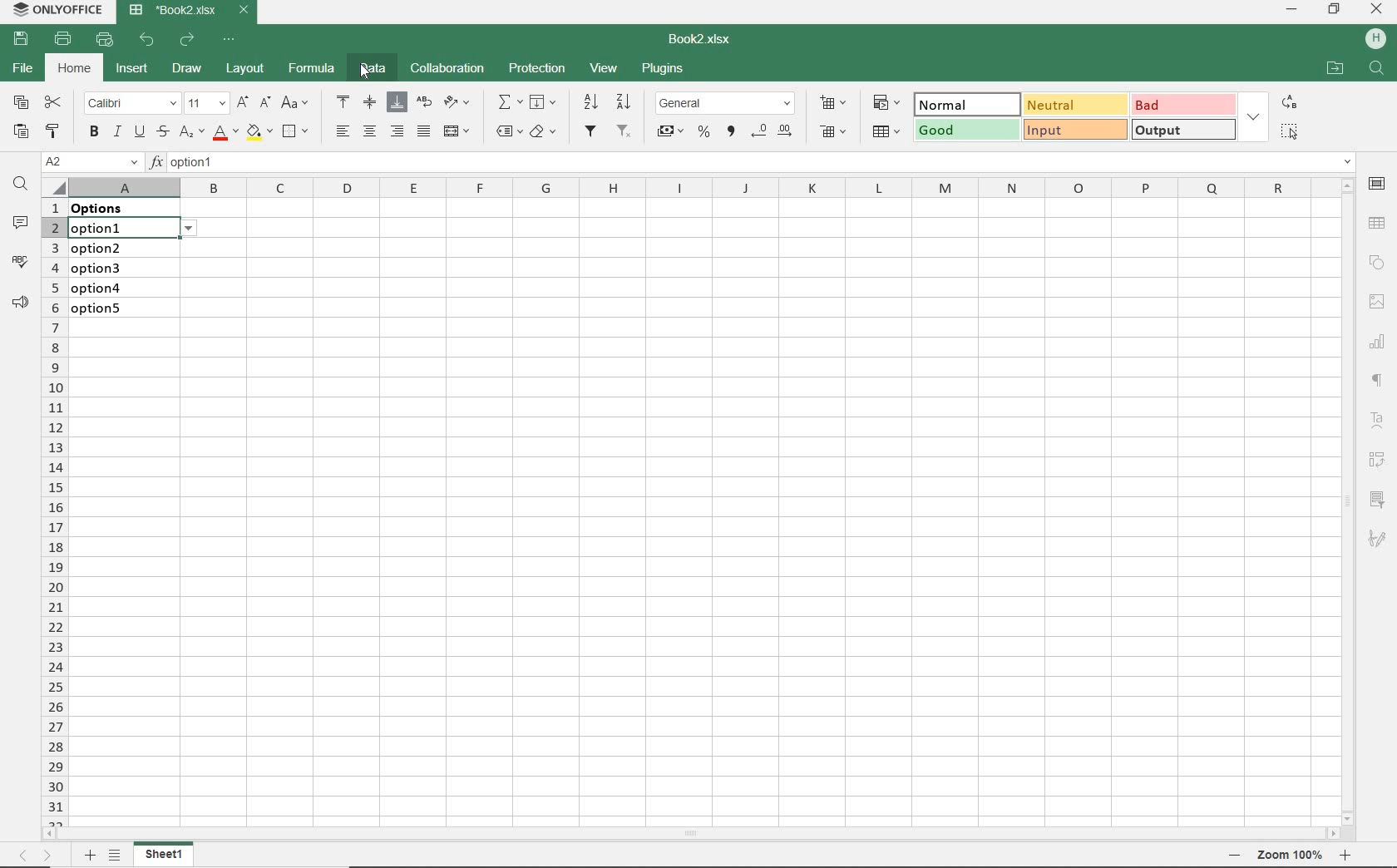 The height and width of the screenshot is (868, 1397). I want to click on FONT, so click(130, 104).